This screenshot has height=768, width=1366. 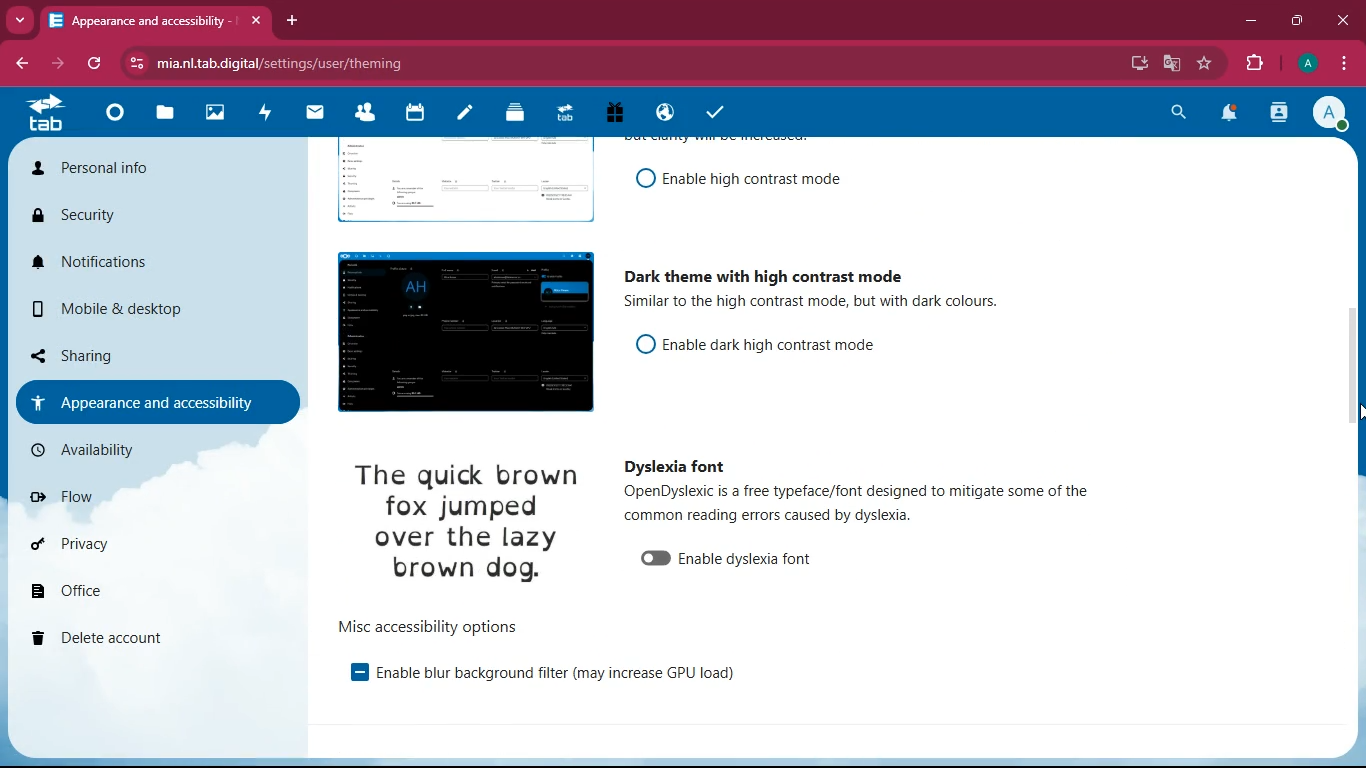 I want to click on image, so click(x=458, y=333).